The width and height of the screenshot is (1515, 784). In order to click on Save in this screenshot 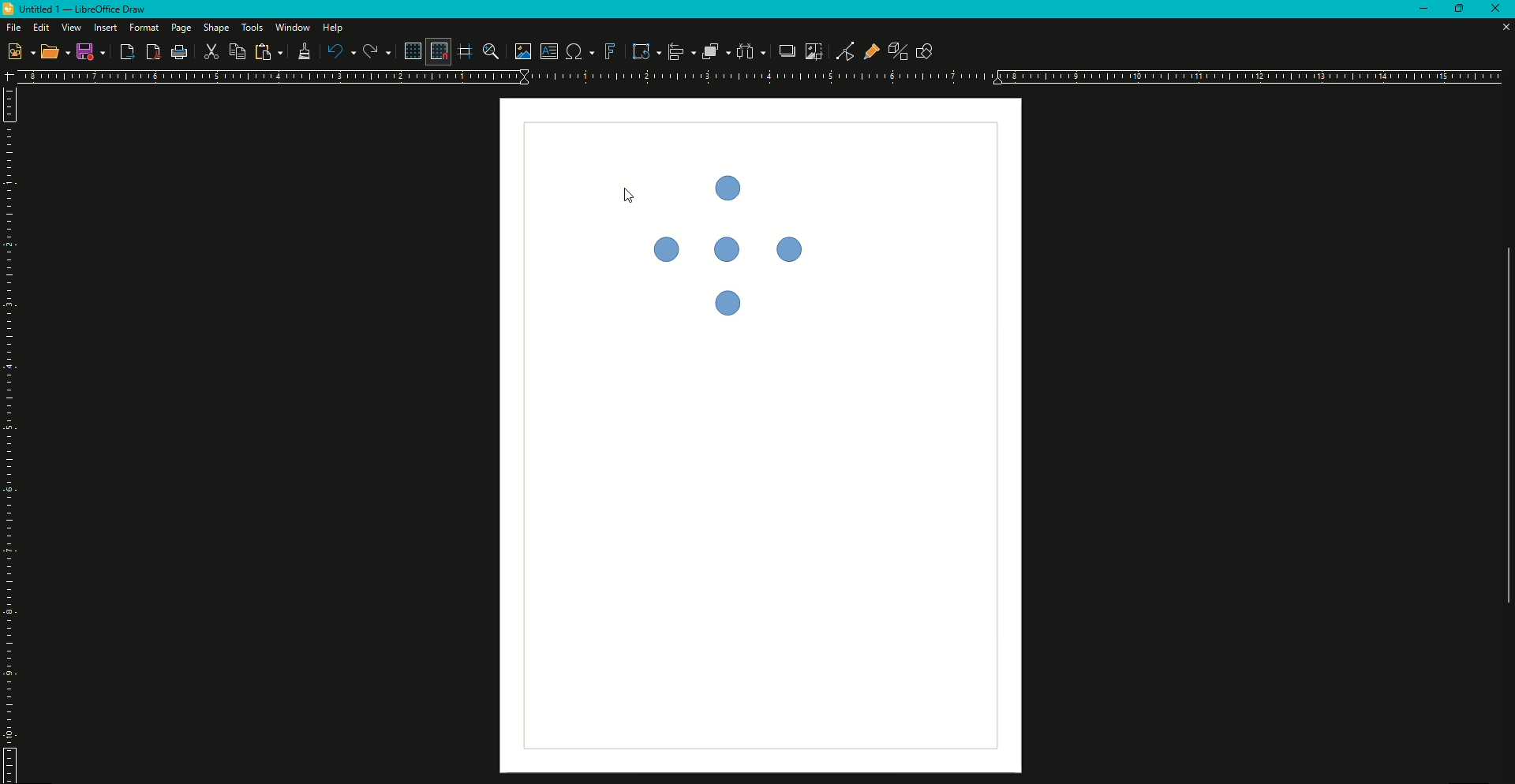, I will do `click(92, 54)`.